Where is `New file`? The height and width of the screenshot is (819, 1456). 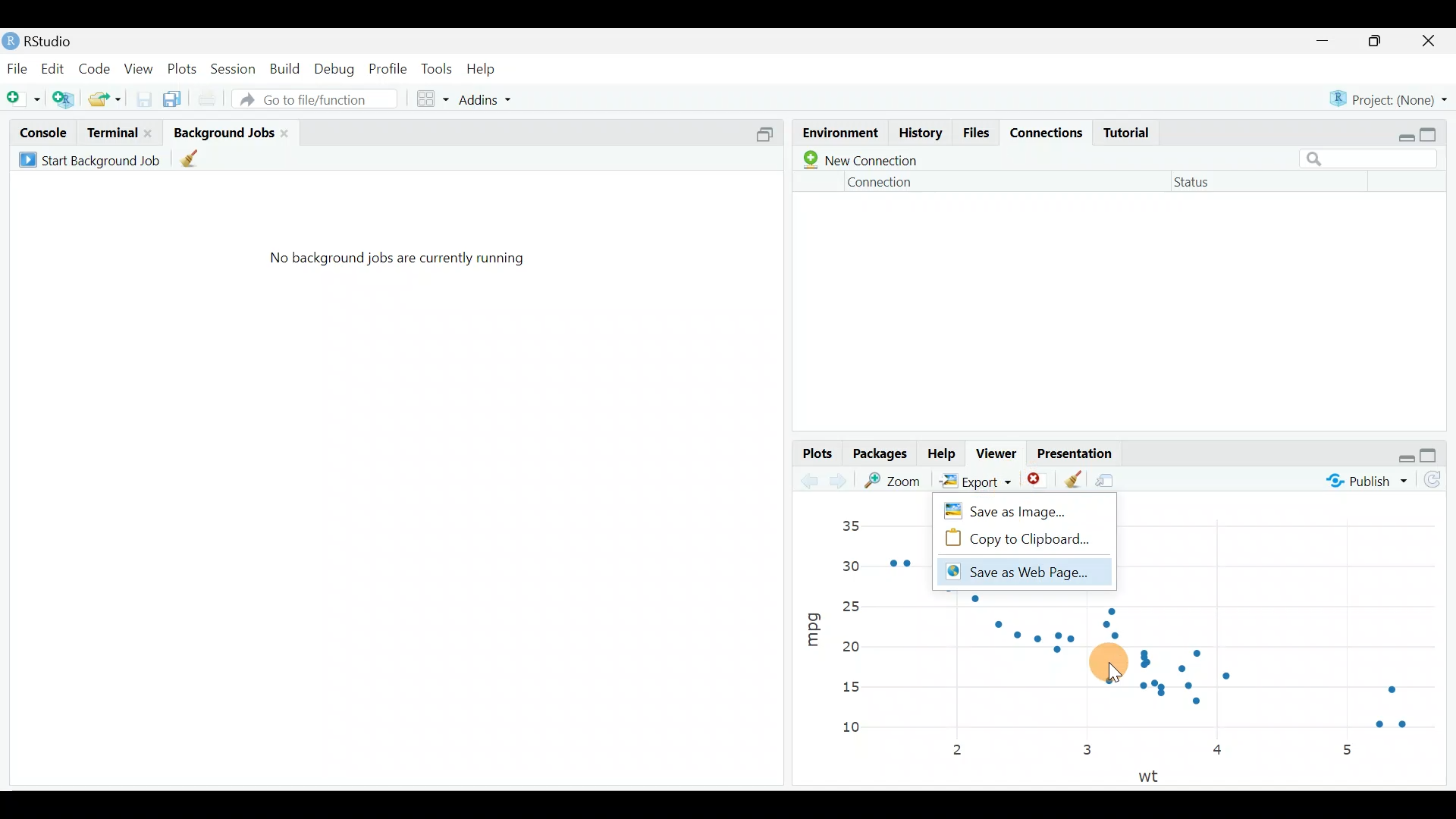
New file is located at coordinates (24, 96).